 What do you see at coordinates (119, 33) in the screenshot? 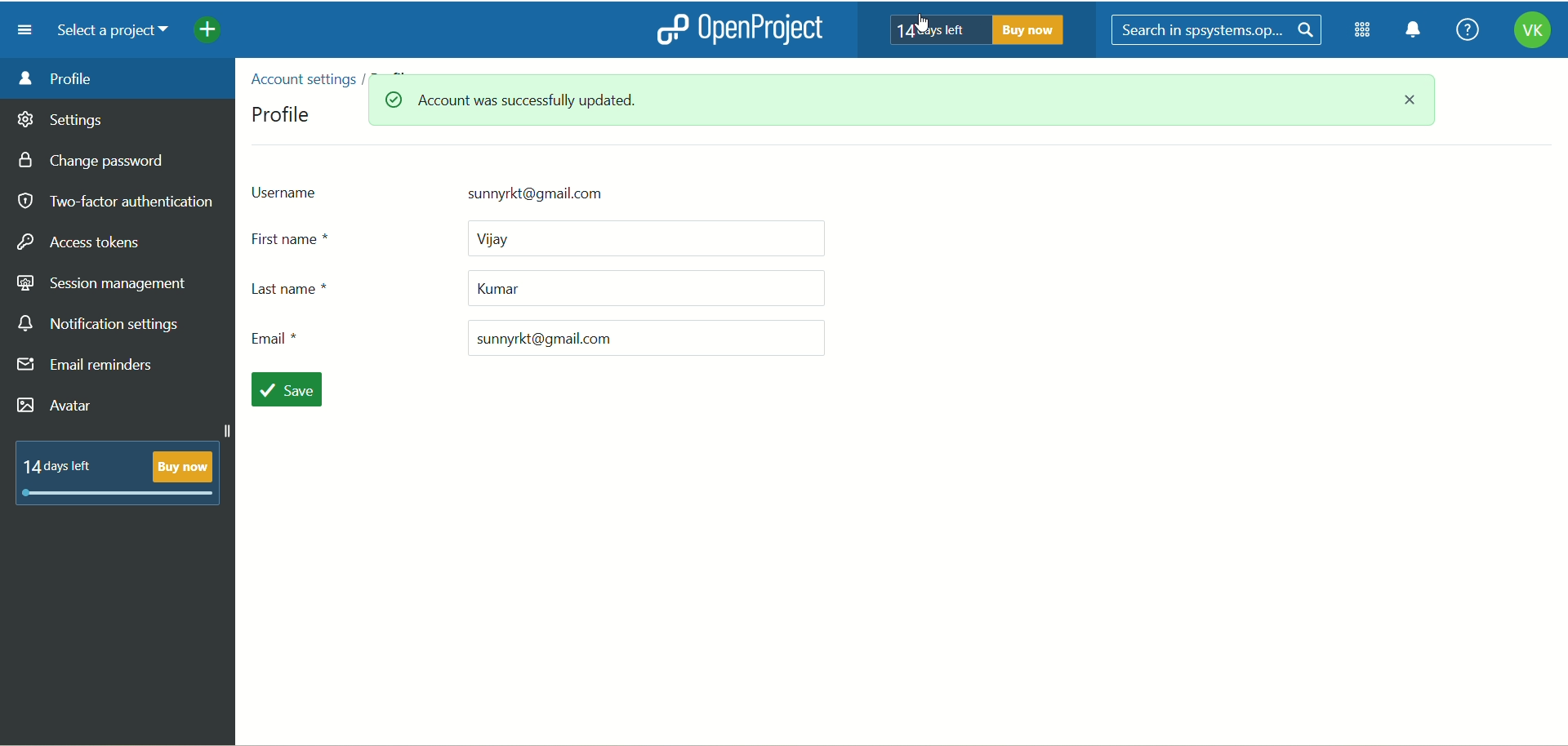
I see `select a project` at bounding box center [119, 33].